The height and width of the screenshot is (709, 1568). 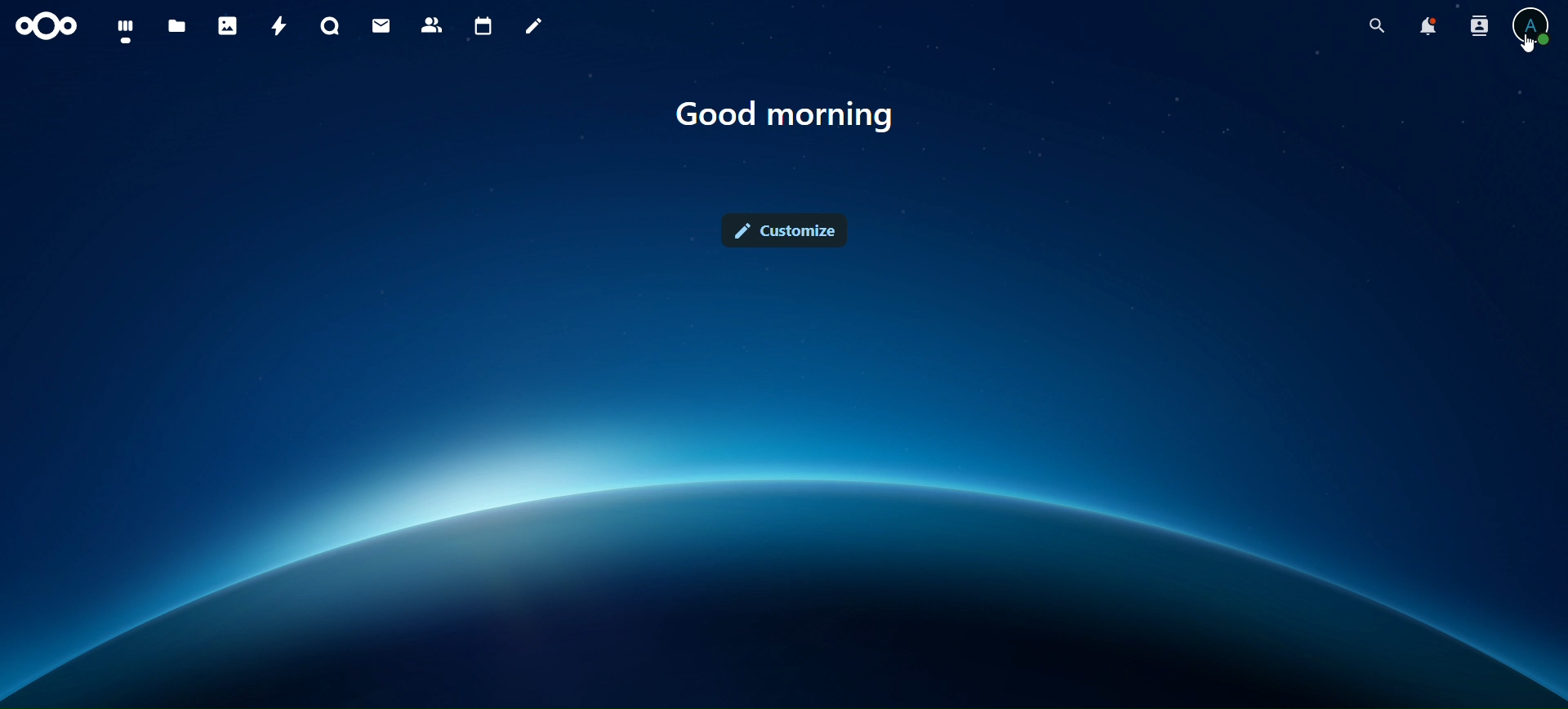 I want to click on files, so click(x=129, y=32).